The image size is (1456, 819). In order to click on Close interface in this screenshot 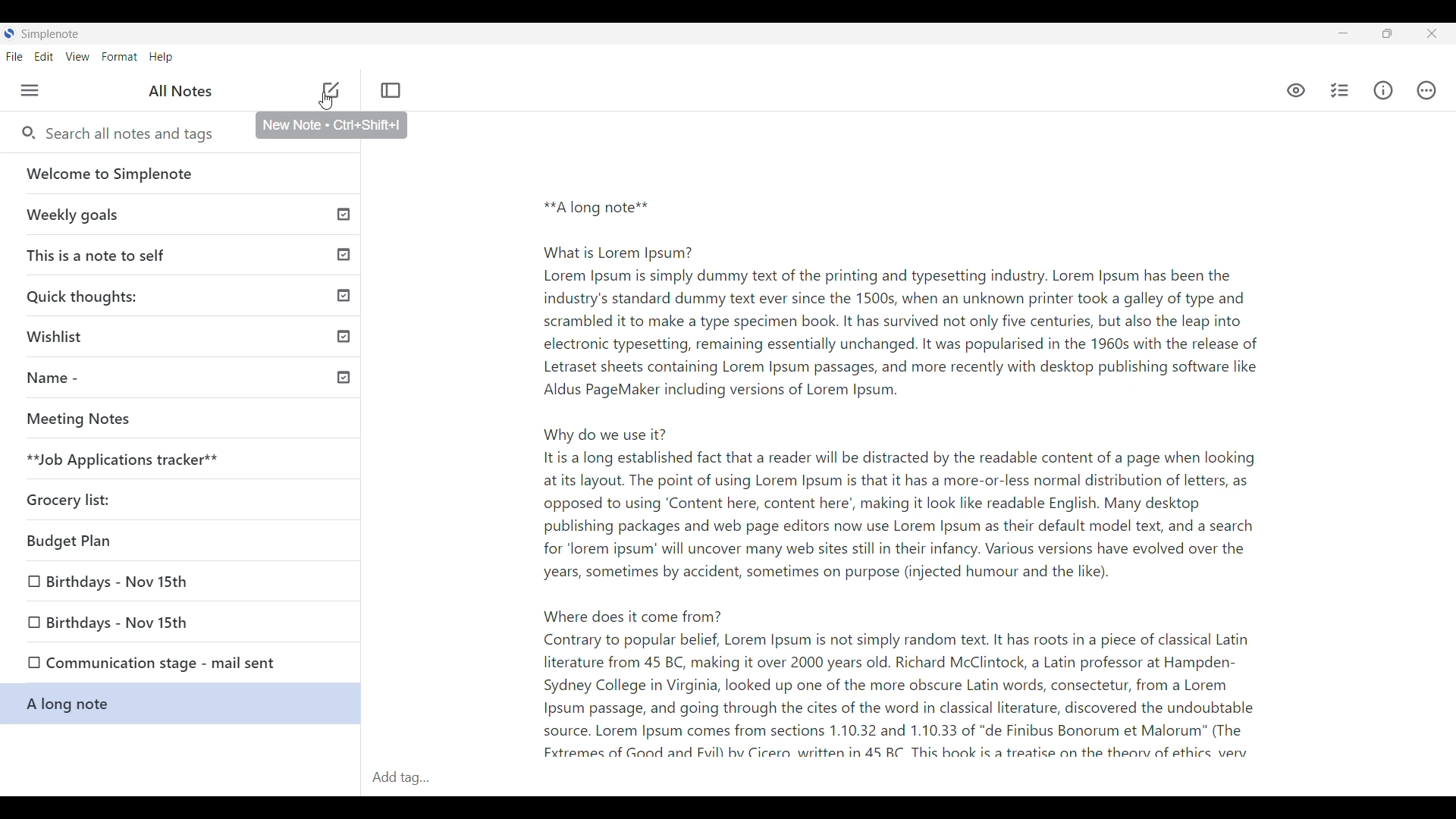, I will do `click(1431, 33)`.